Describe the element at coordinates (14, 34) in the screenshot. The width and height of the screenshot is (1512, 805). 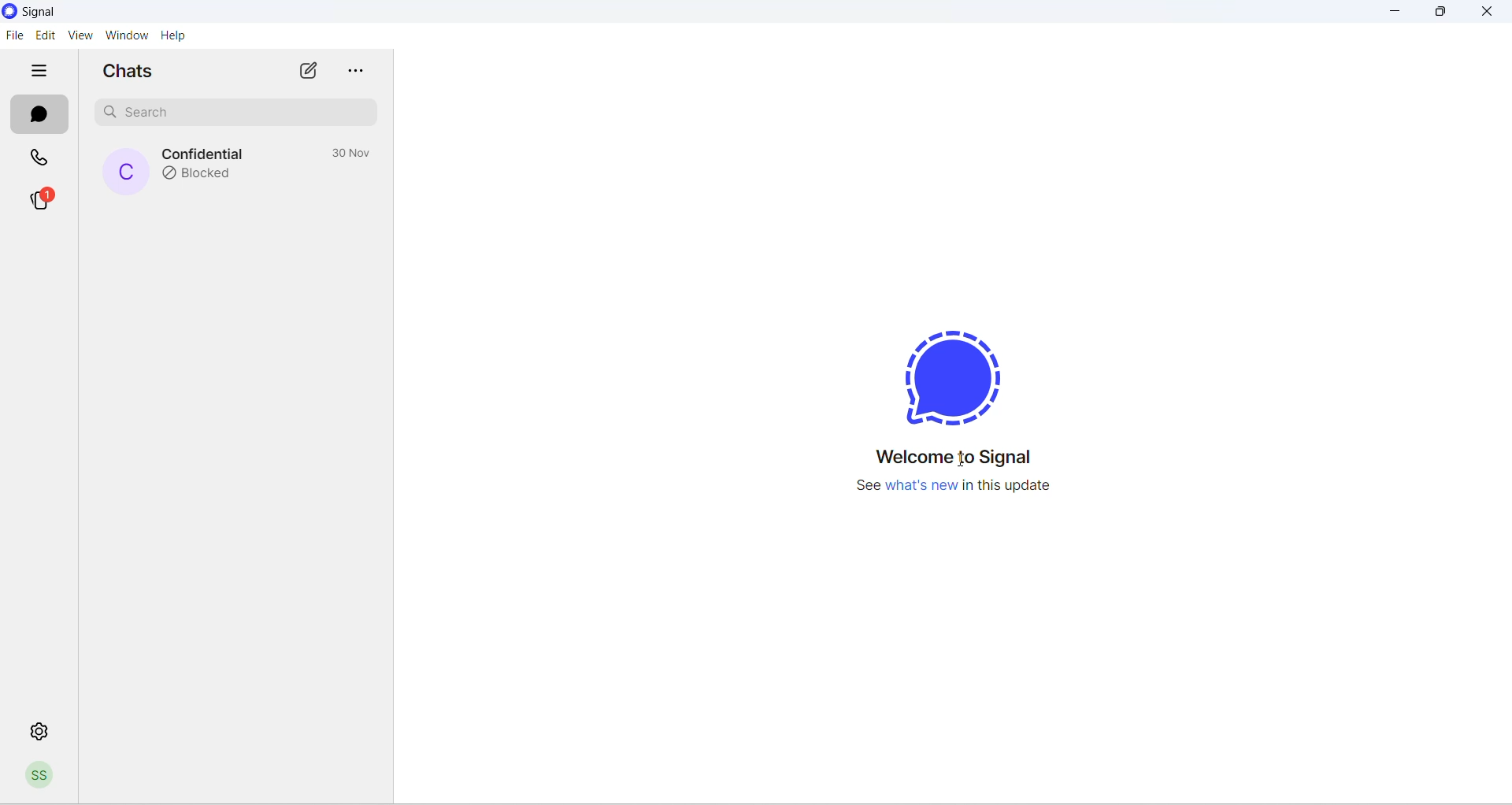
I see `file` at that location.